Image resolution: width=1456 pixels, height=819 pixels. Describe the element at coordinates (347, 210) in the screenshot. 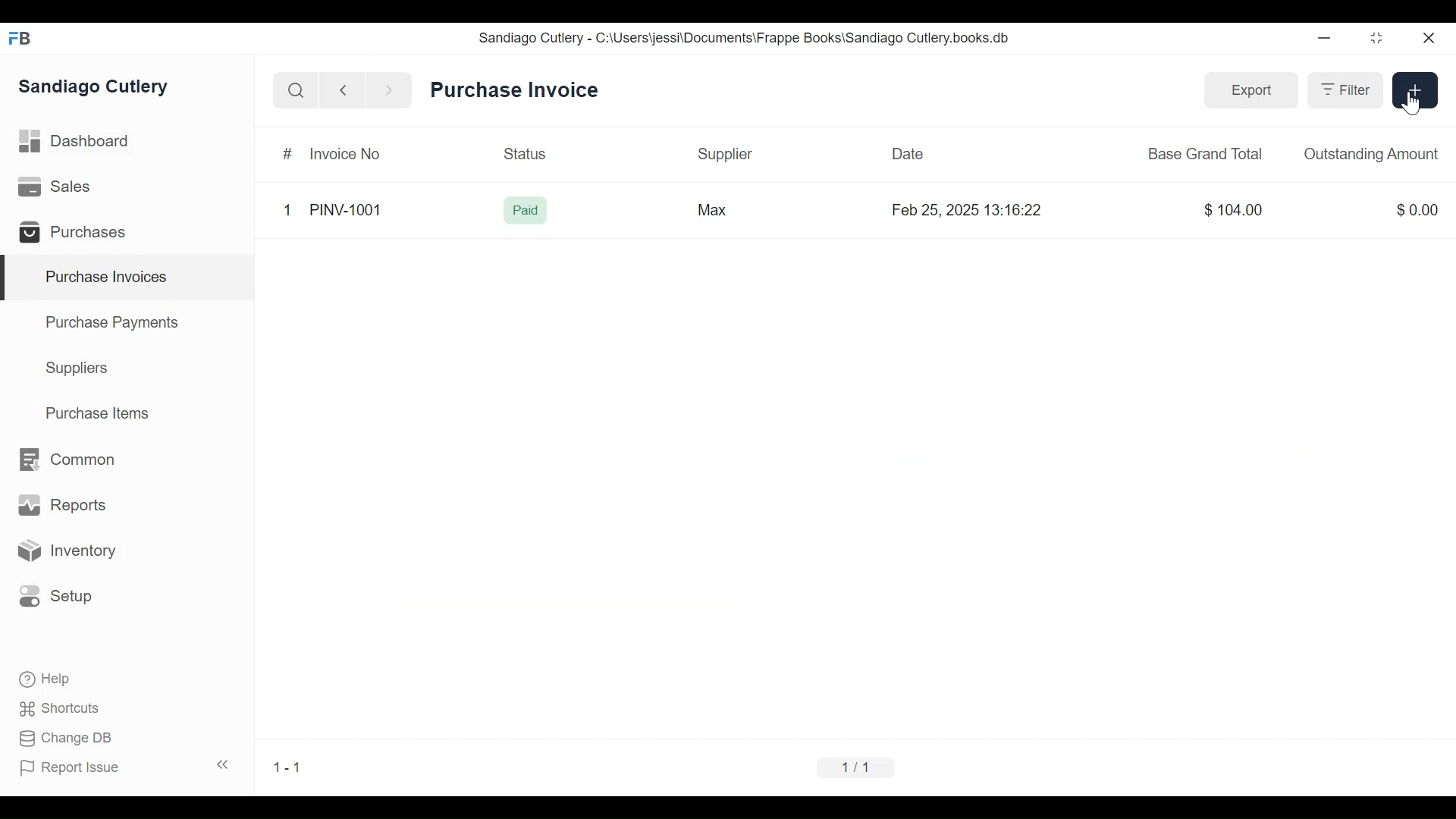

I see `PINV-1001` at that location.